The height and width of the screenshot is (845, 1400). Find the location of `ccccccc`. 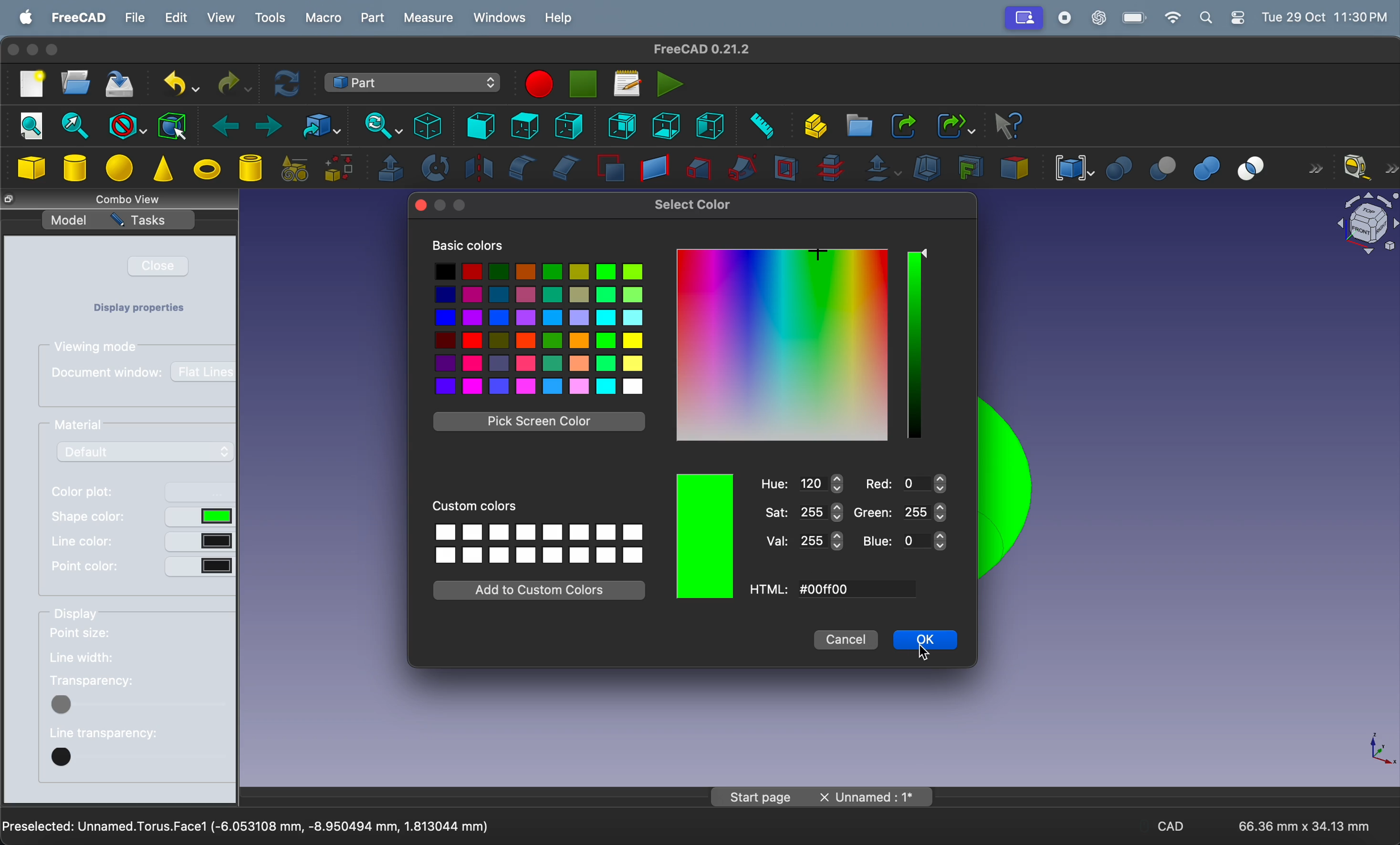

ccccccc is located at coordinates (827, 589).